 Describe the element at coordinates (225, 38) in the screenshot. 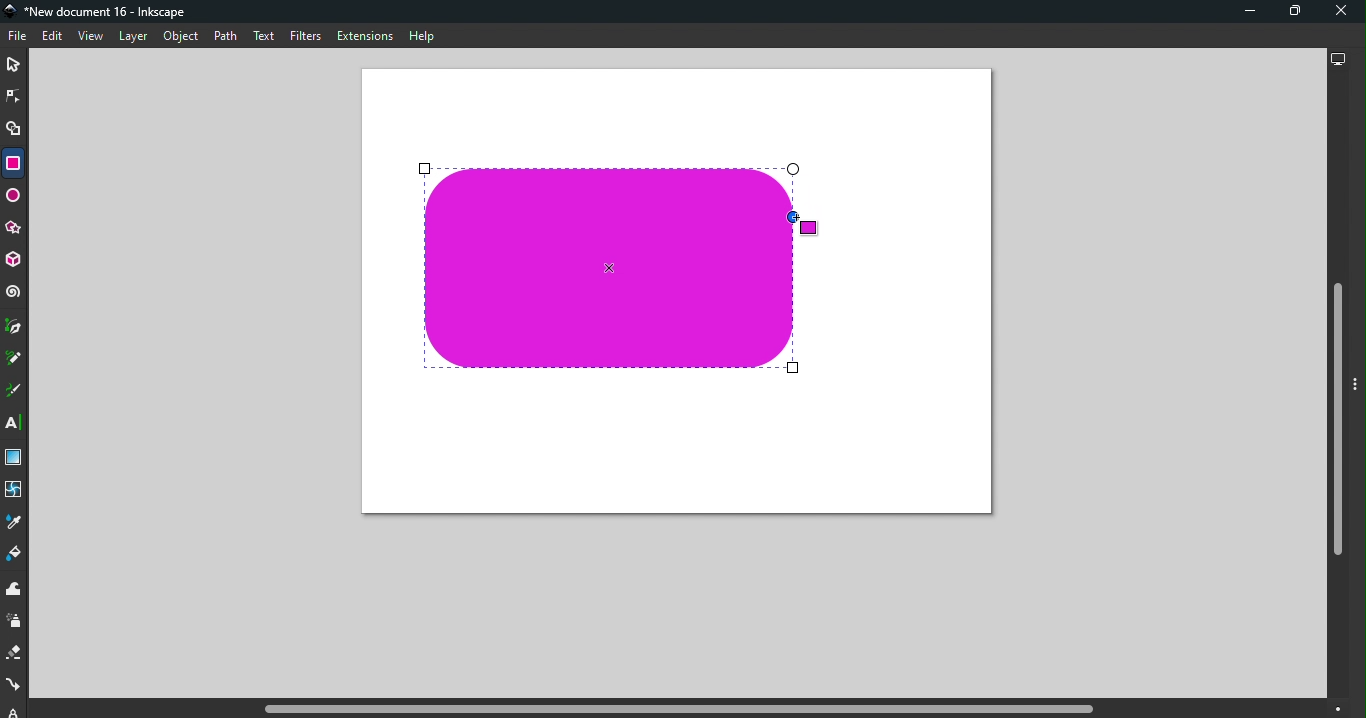

I see `Path` at that location.